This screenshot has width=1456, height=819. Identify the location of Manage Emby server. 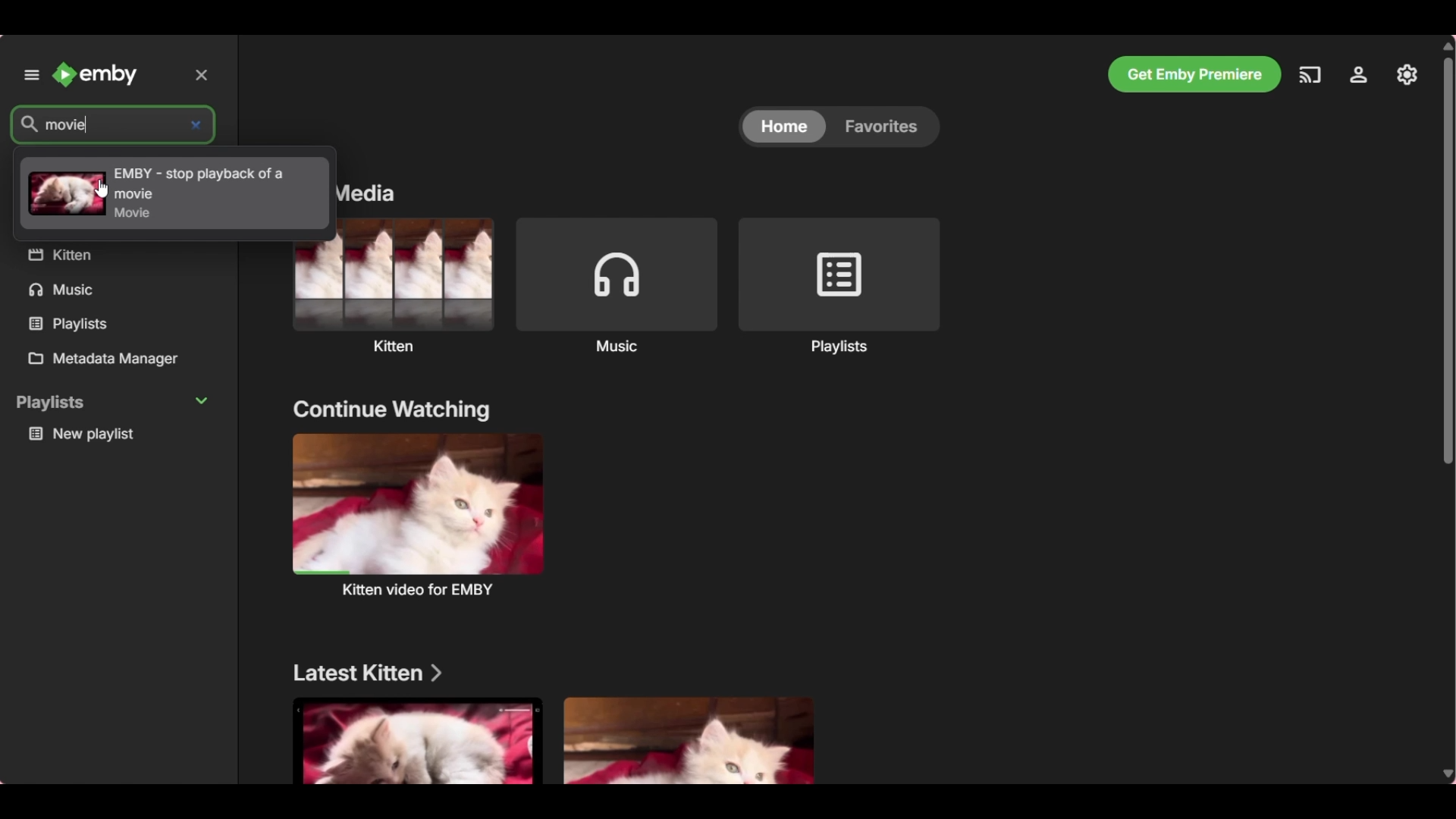
(1359, 75).